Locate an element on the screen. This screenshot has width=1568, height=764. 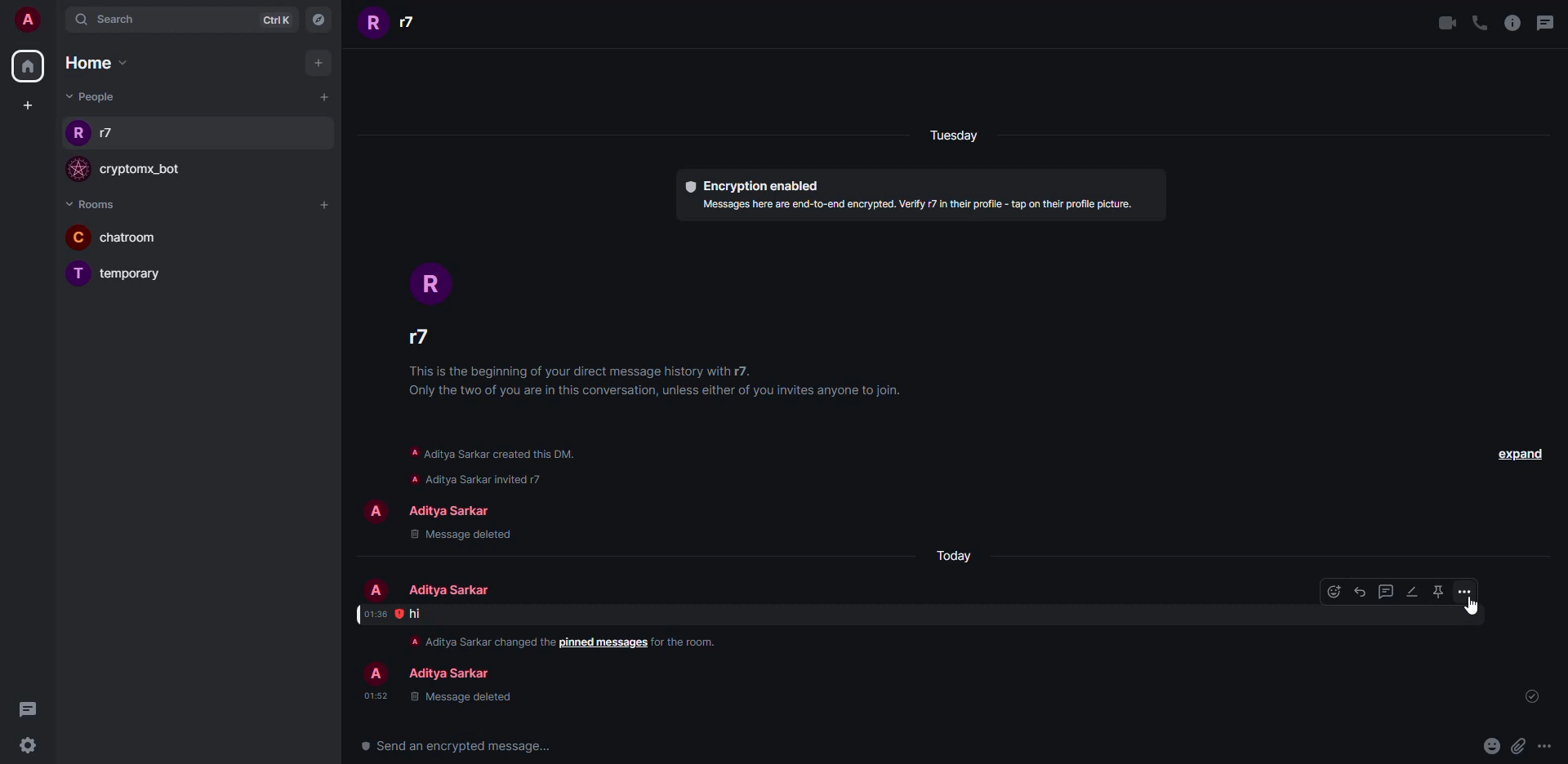
info is located at coordinates (920, 205).